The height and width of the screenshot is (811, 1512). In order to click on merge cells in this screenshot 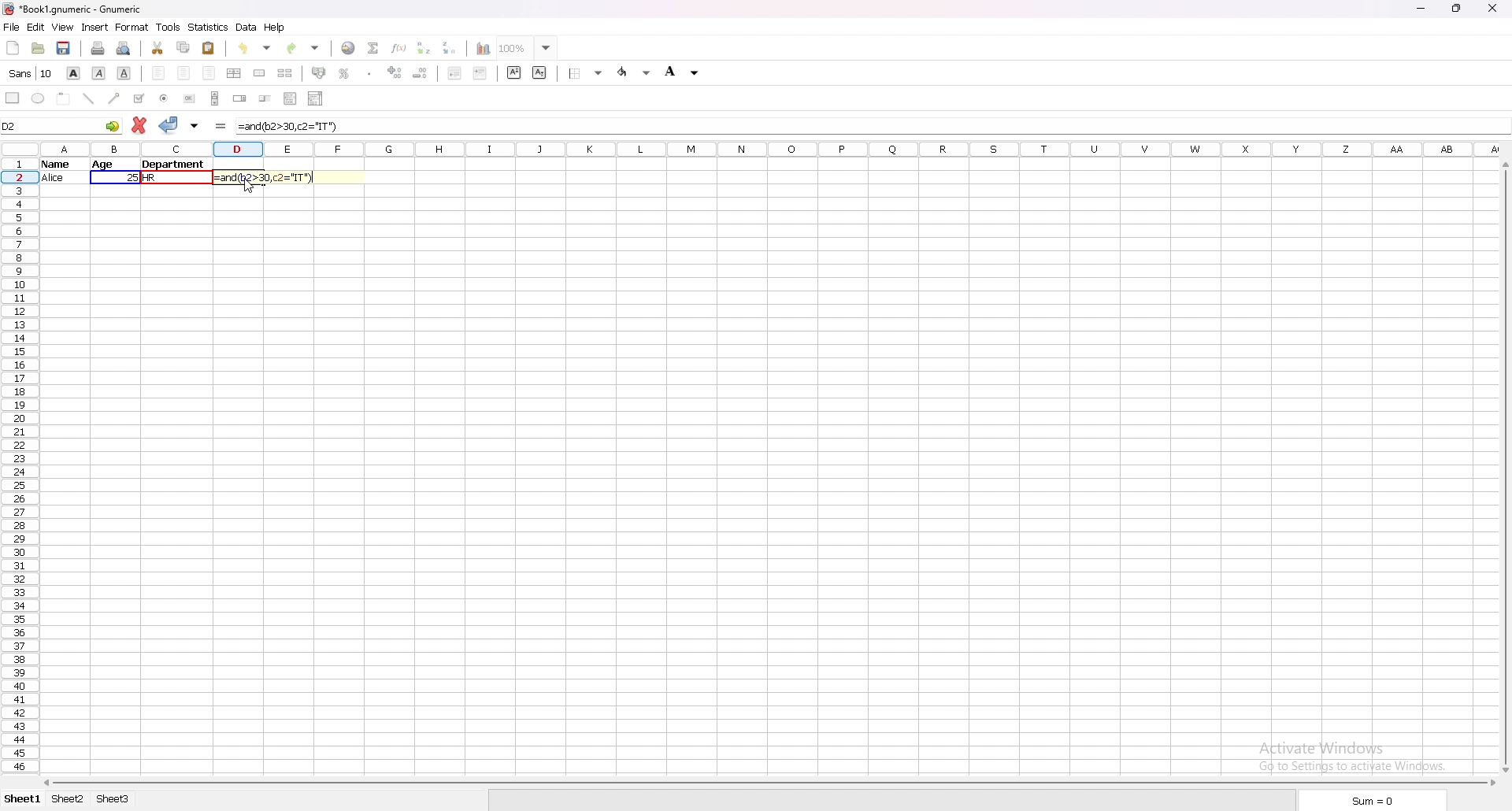, I will do `click(260, 74)`.